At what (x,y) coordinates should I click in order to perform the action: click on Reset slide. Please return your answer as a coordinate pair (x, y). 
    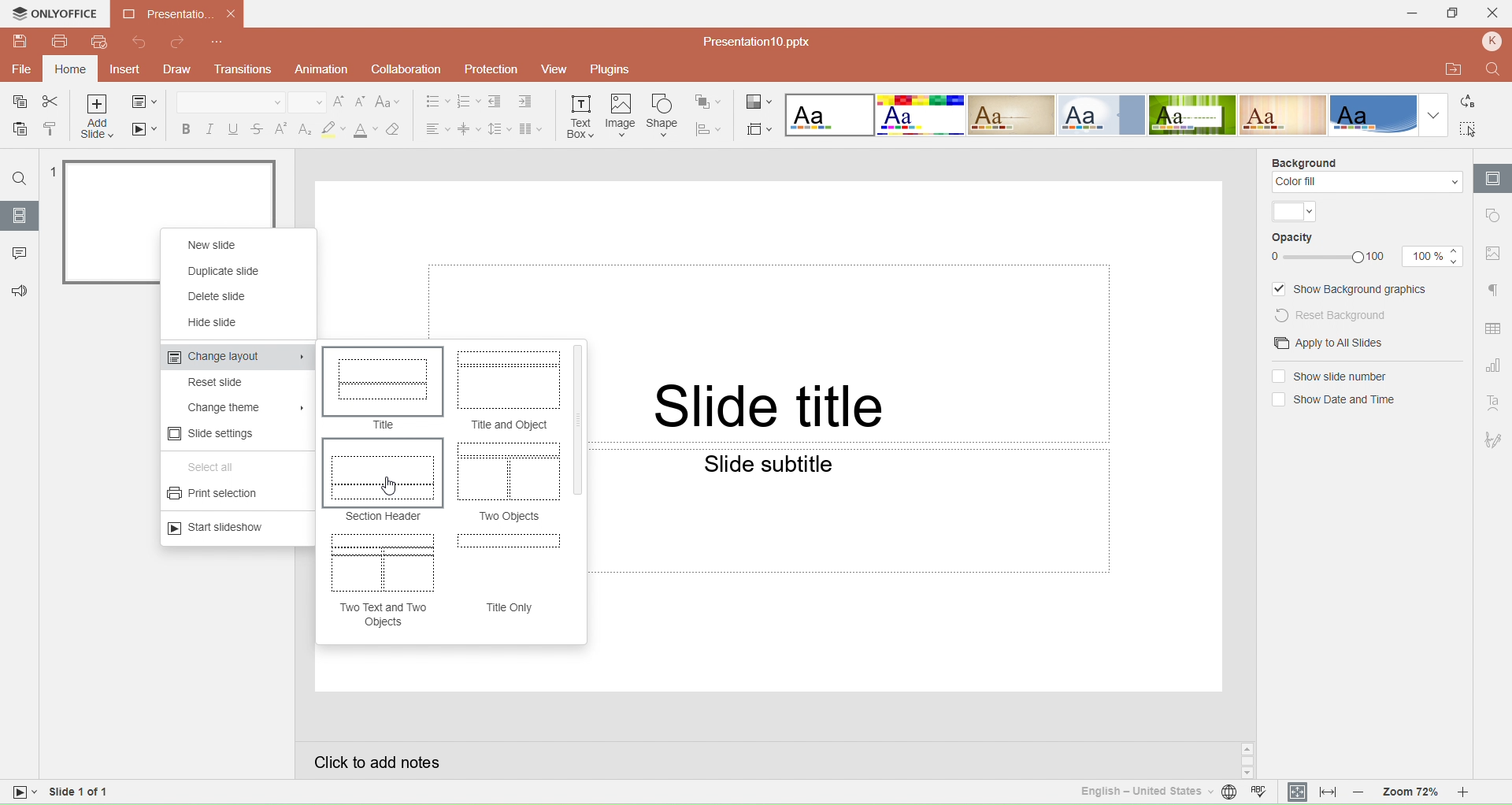
    Looking at the image, I should click on (227, 384).